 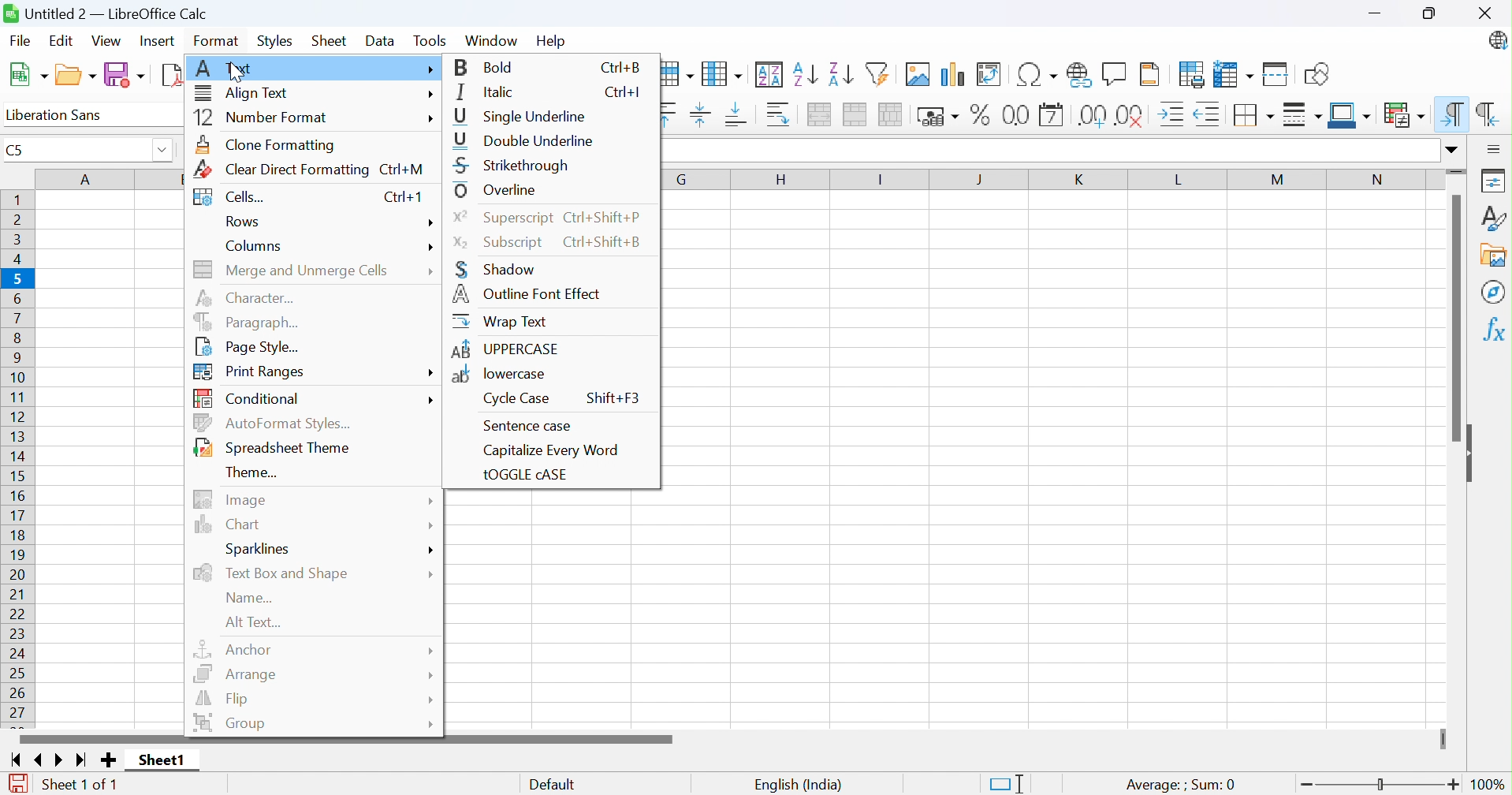 I want to click on Scroll to previous sheet, so click(x=44, y=761).